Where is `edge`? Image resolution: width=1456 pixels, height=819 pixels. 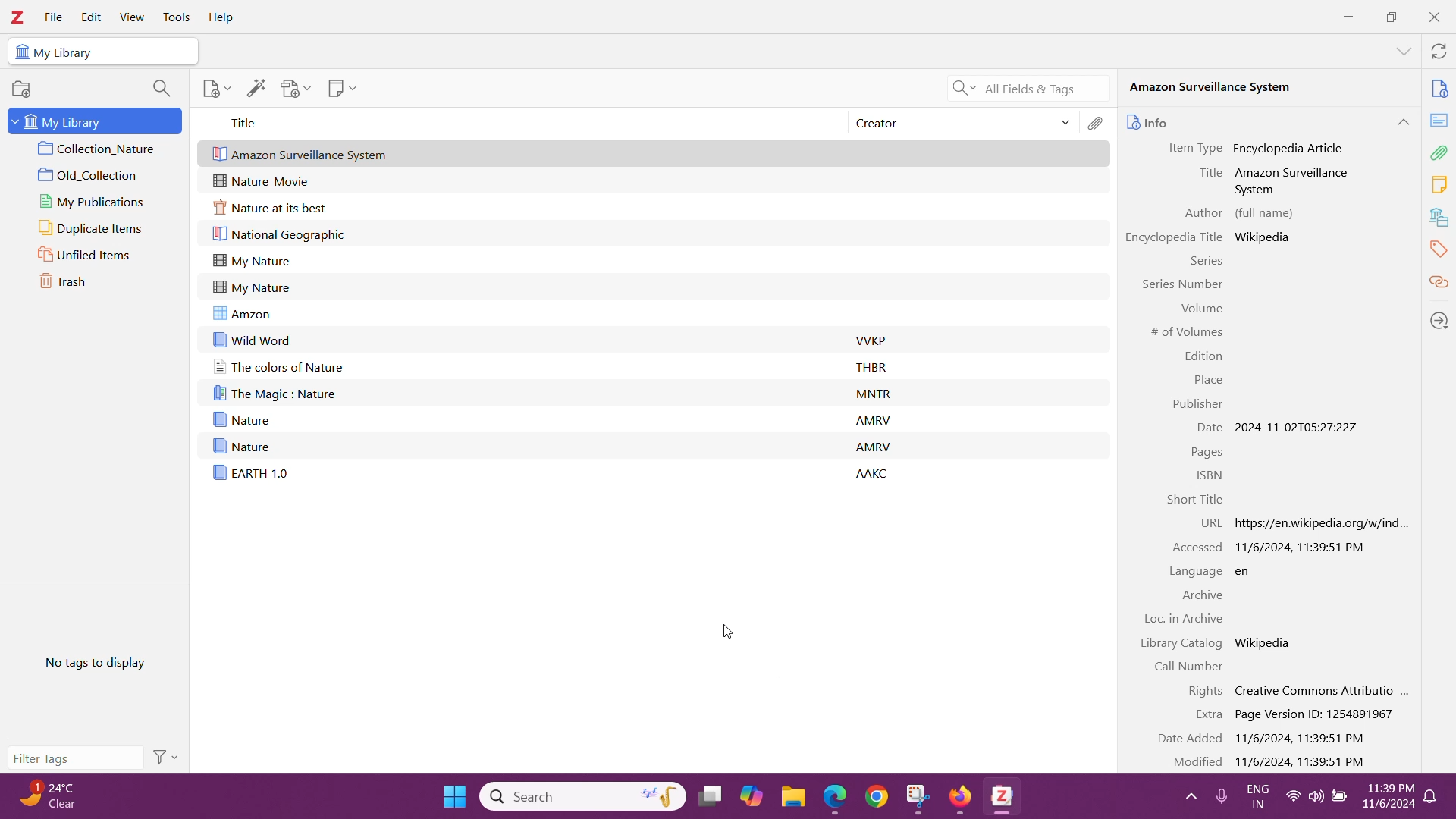
edge is located at coordinates (834, 799).